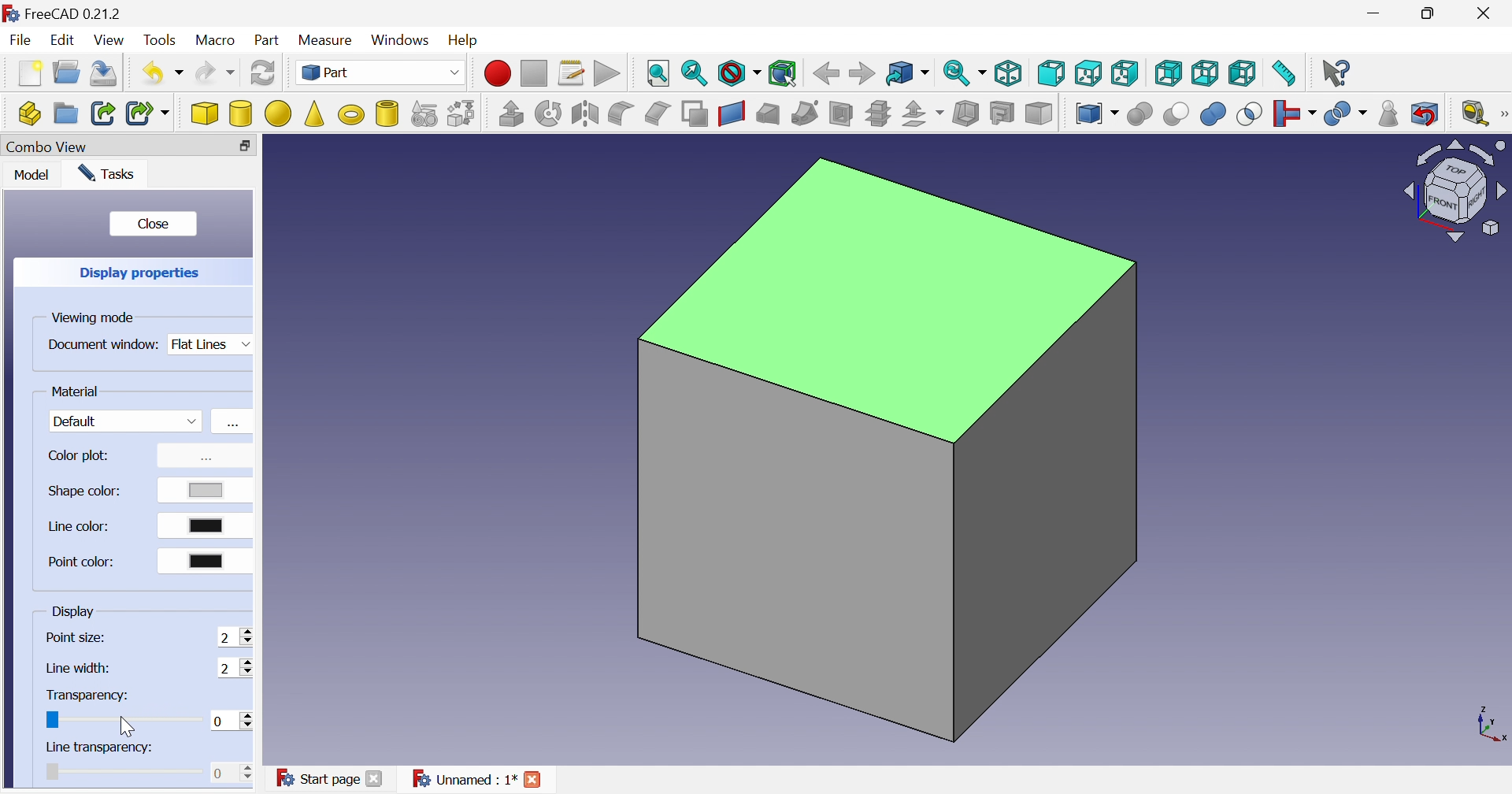 This screenshot has height=794, width=1512. What do you see at coordinates (108, 173) in the screenshot?
I see `Tasks` at bounding box center [108, 173].